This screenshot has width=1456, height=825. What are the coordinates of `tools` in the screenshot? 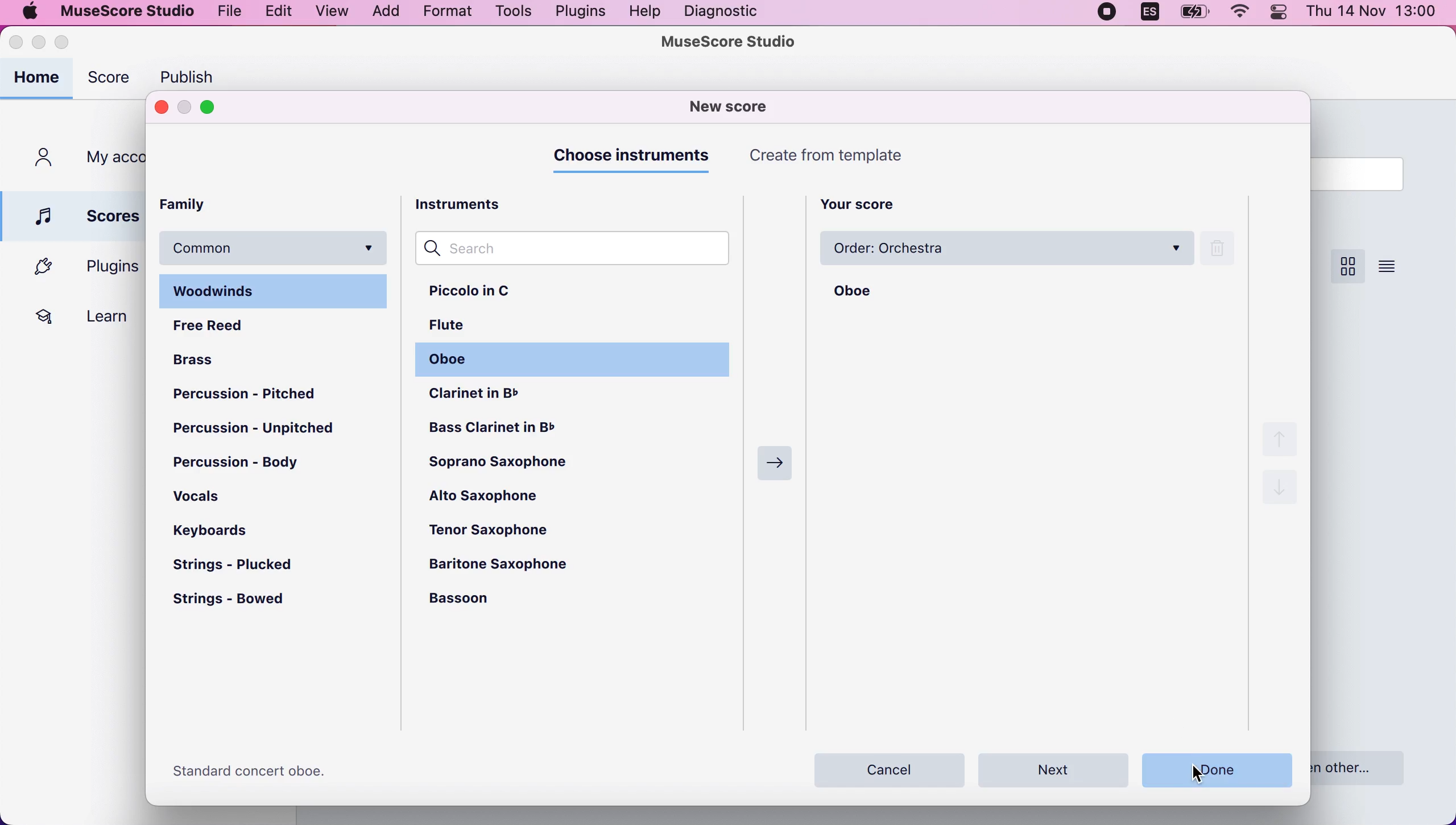 It's located at (515, 13).